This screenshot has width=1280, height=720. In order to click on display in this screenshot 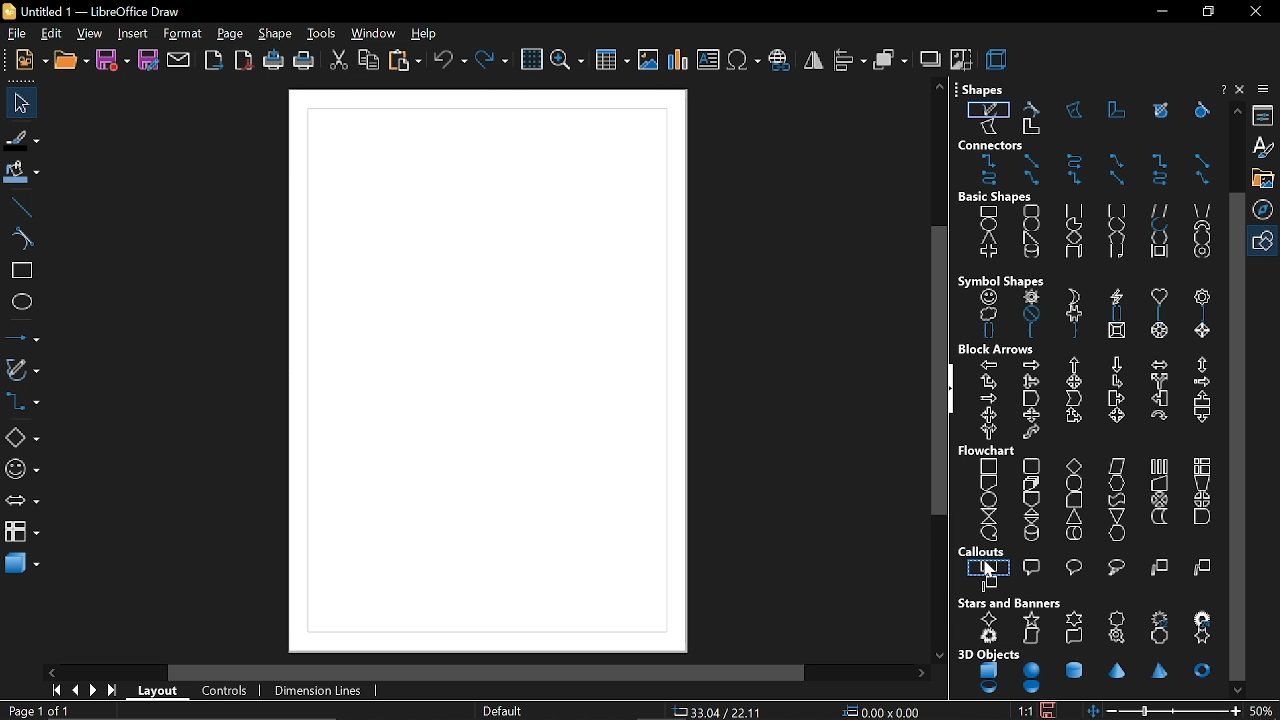, I will do `click(1117, 533)`.